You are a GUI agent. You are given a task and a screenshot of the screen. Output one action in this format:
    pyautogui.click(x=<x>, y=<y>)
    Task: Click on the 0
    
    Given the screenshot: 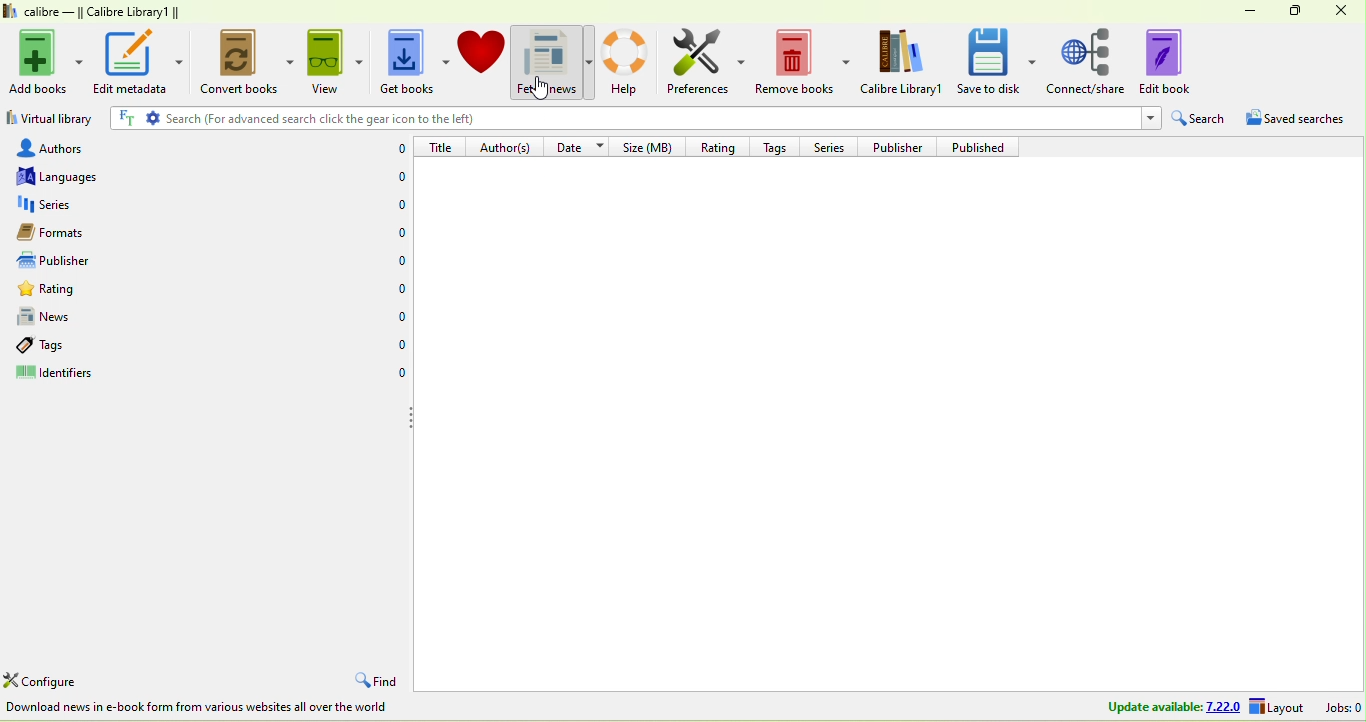 What is the action you would take?
    pyautogui.click(x=399, y=204)
    